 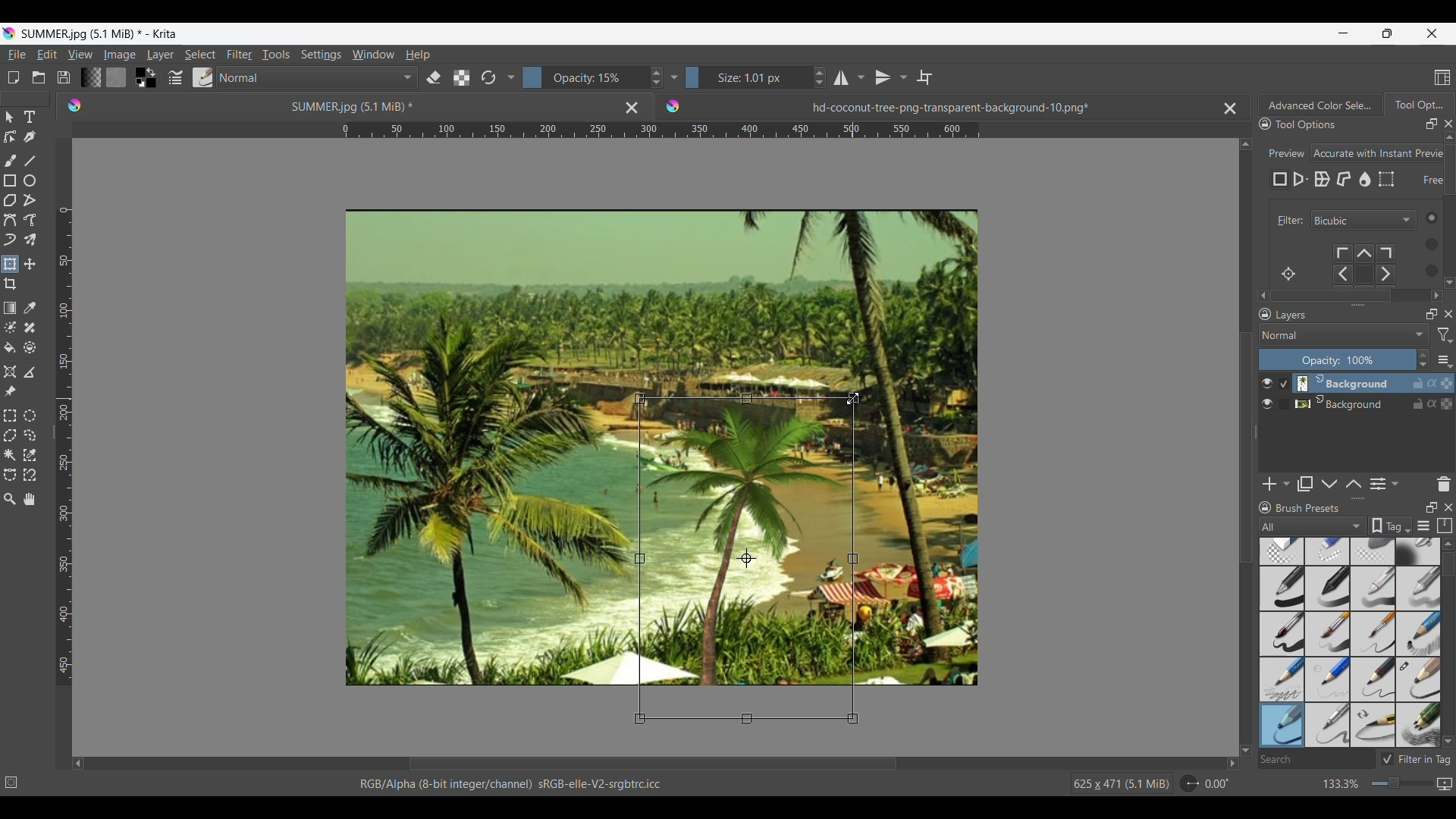 What do you see at coordinates (1266, 507) in the screenshot?
I see `Lock Brush Presets panel` at bounding box center [1266, 507].